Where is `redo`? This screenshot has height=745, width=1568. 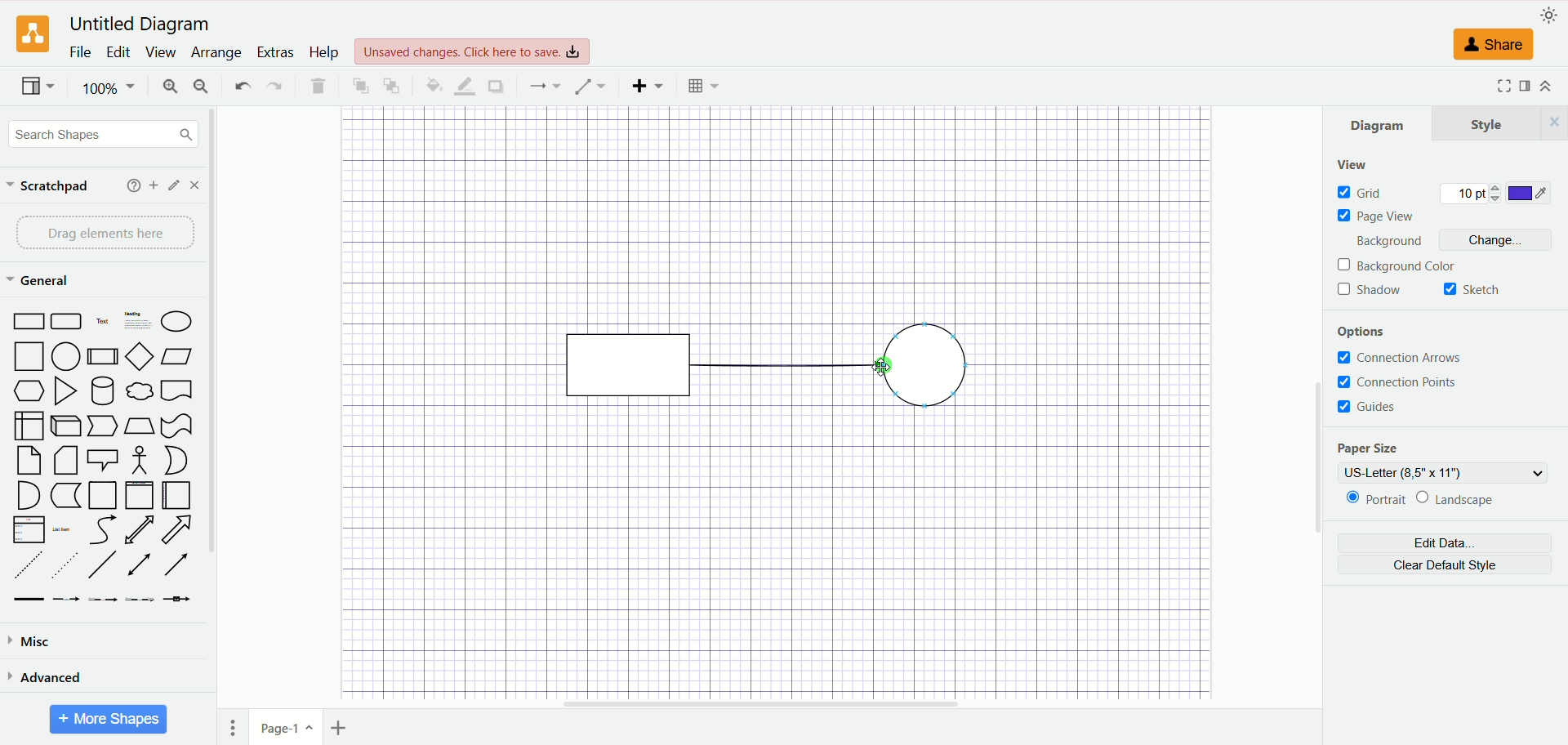 redo is located at coordinates (274, 86).